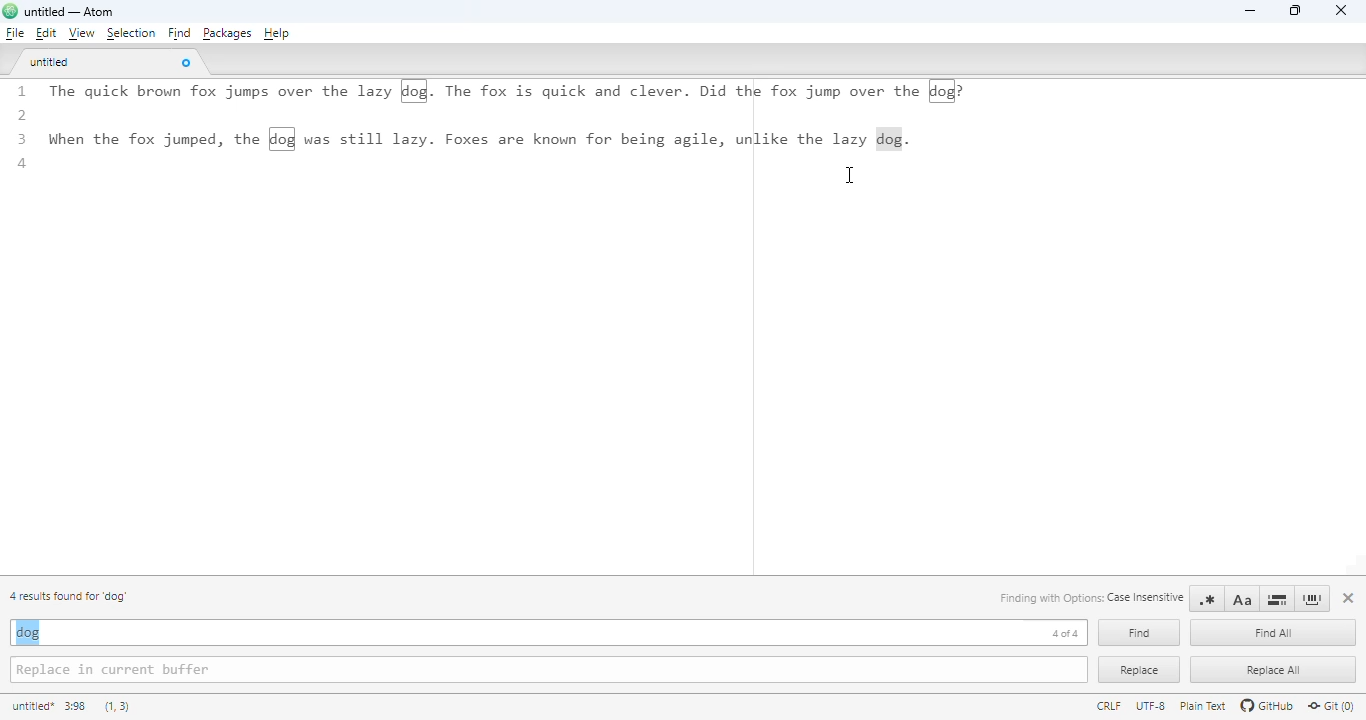 Image resolution: width=1366 pixels, height=720 pixels. I want to click on find, so click(1138, 633).